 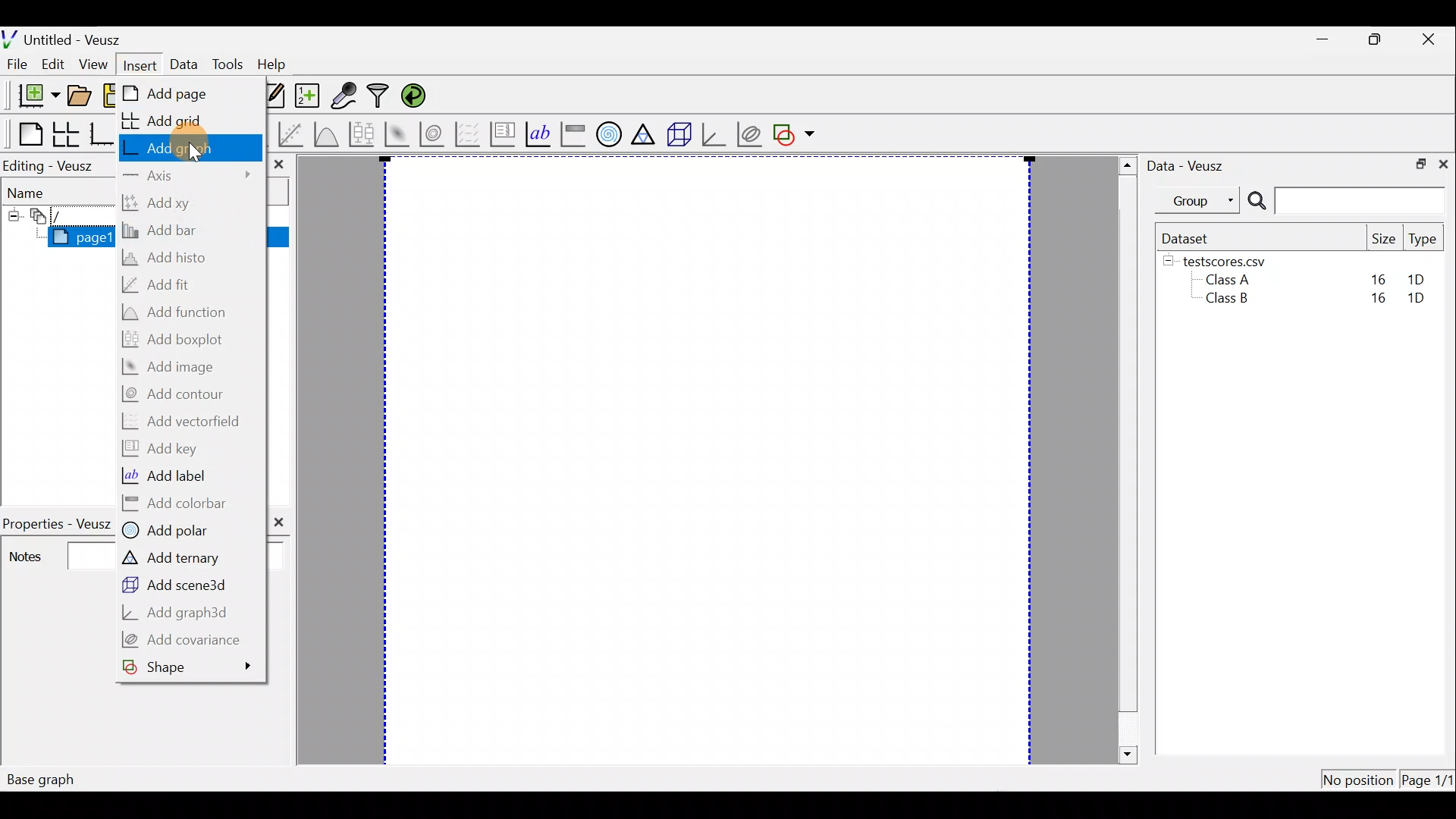 What do you see at coordinates (749, 133) in the screenshot?
I see `Plot covariance ellipses` at bounding box center [749, 133].